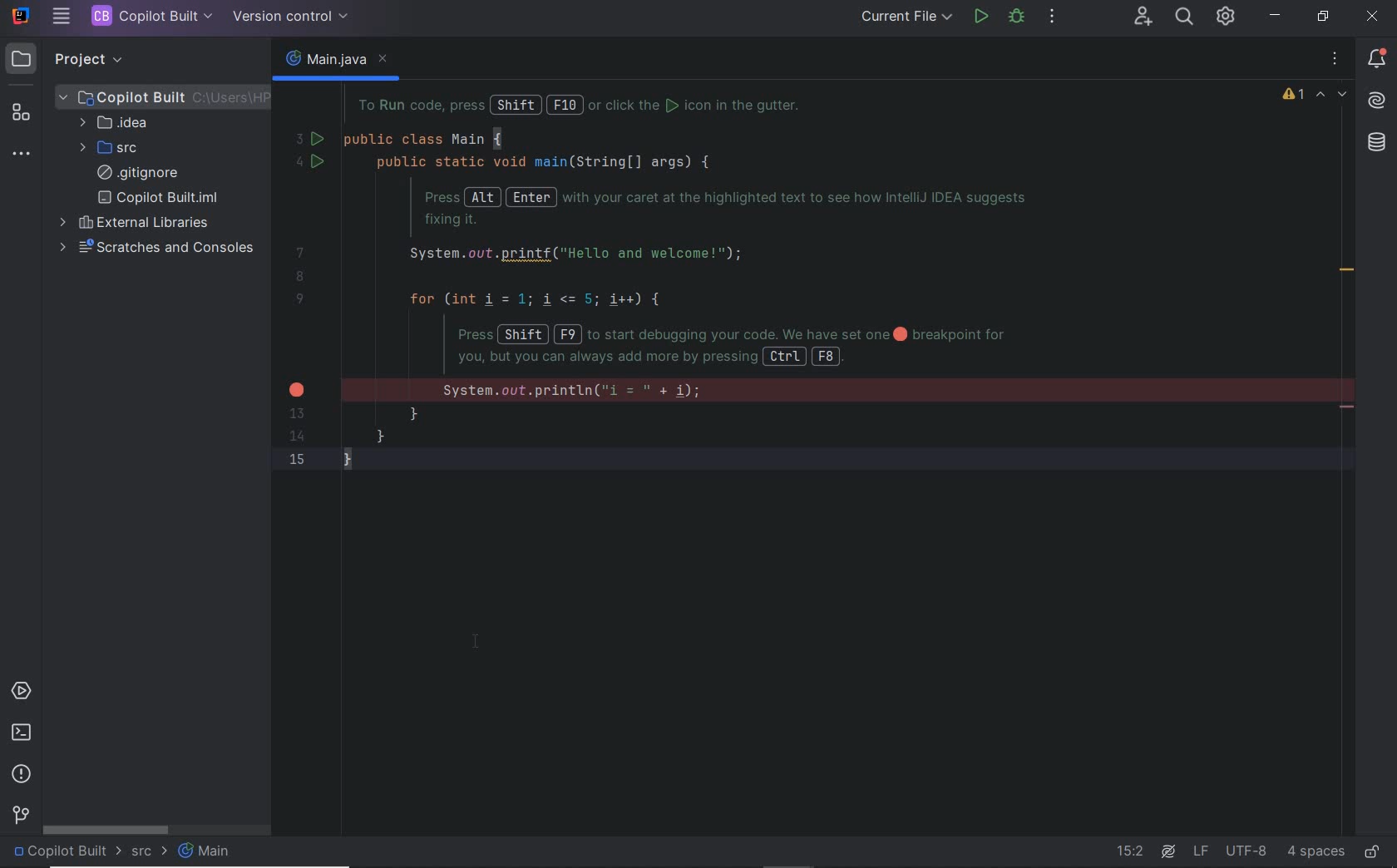 The image size is (1397, 868). I want to click on 7, so click(301, 253).